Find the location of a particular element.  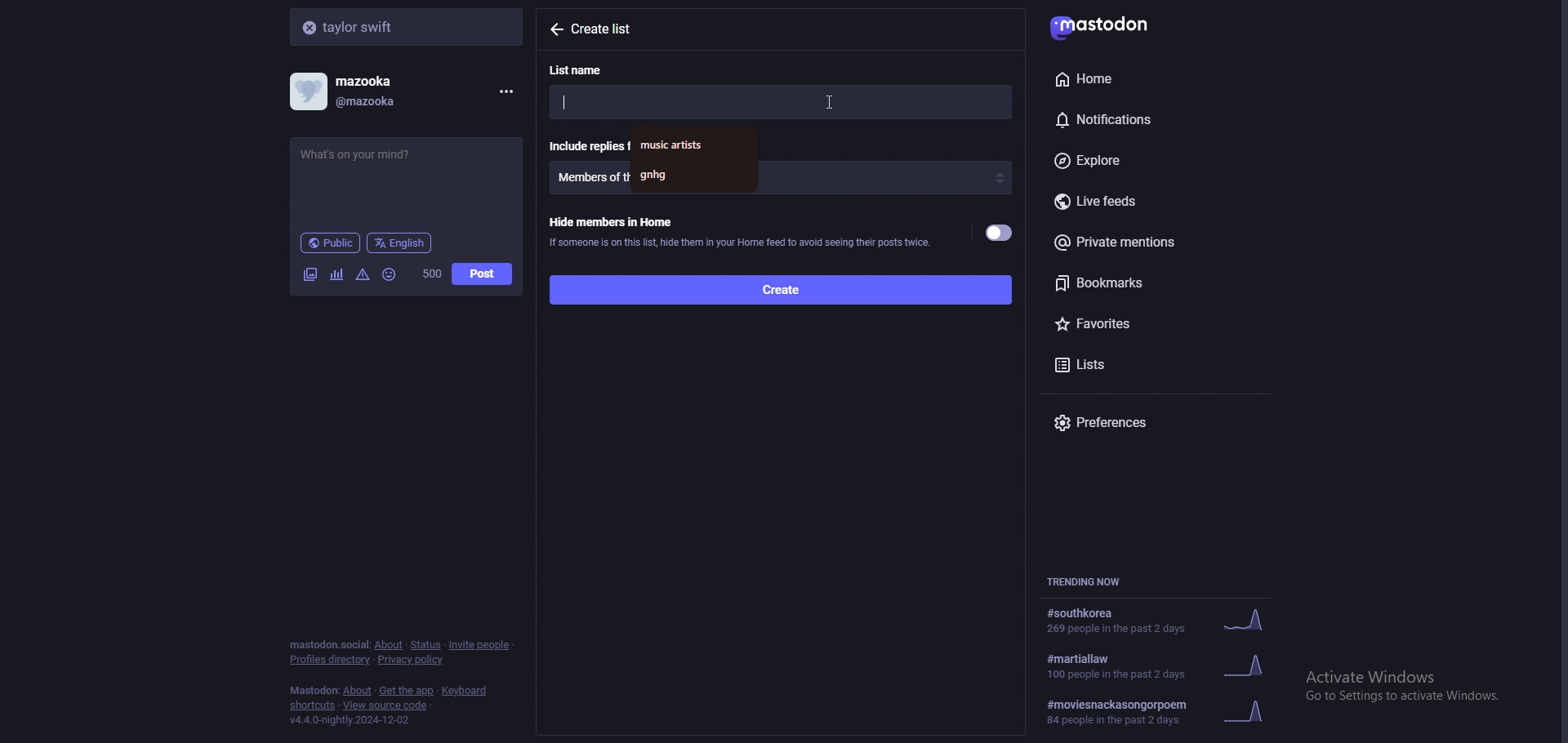

explore is located at coordinates (1150, 162).